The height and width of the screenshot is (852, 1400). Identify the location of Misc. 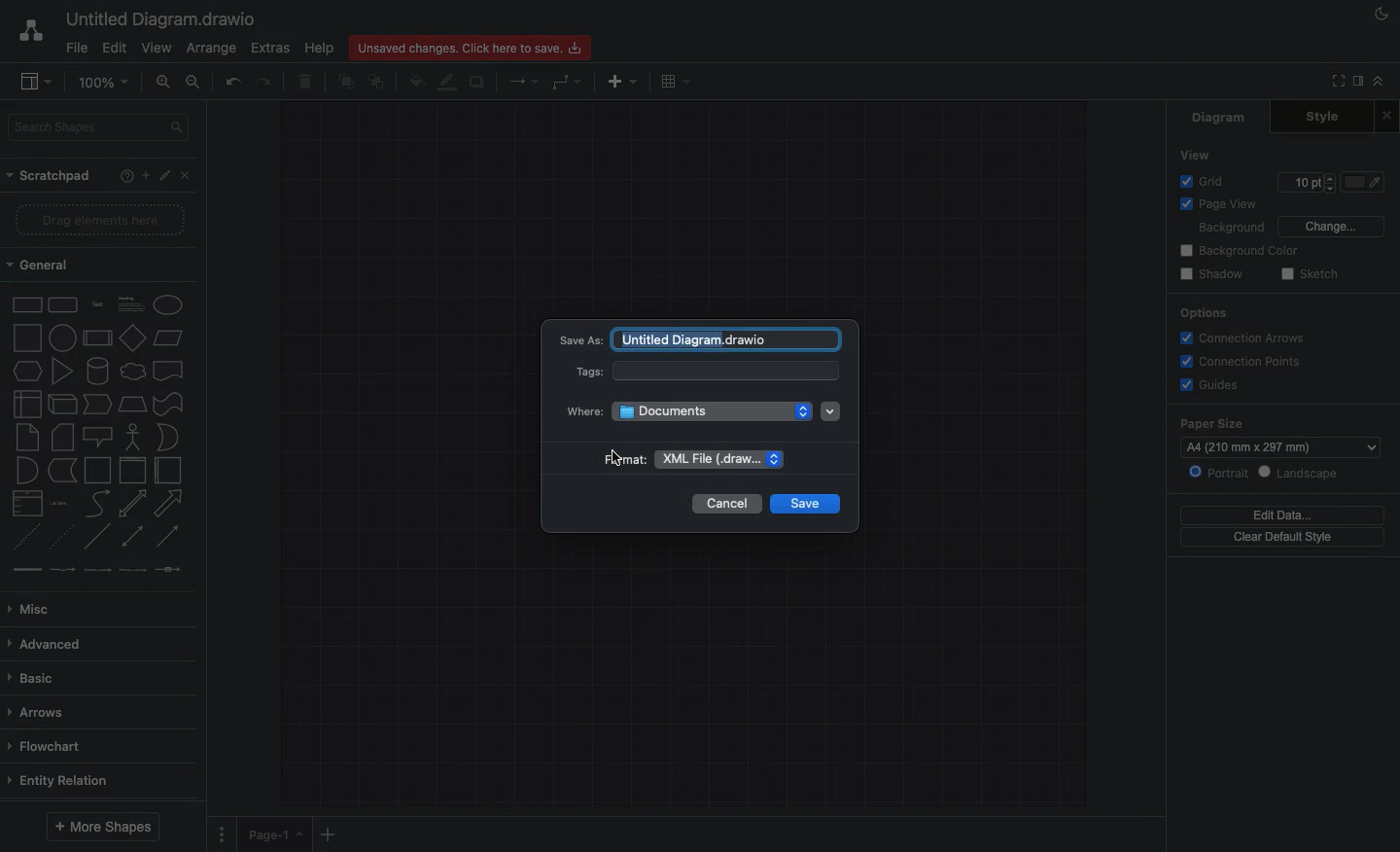
(40, 609).